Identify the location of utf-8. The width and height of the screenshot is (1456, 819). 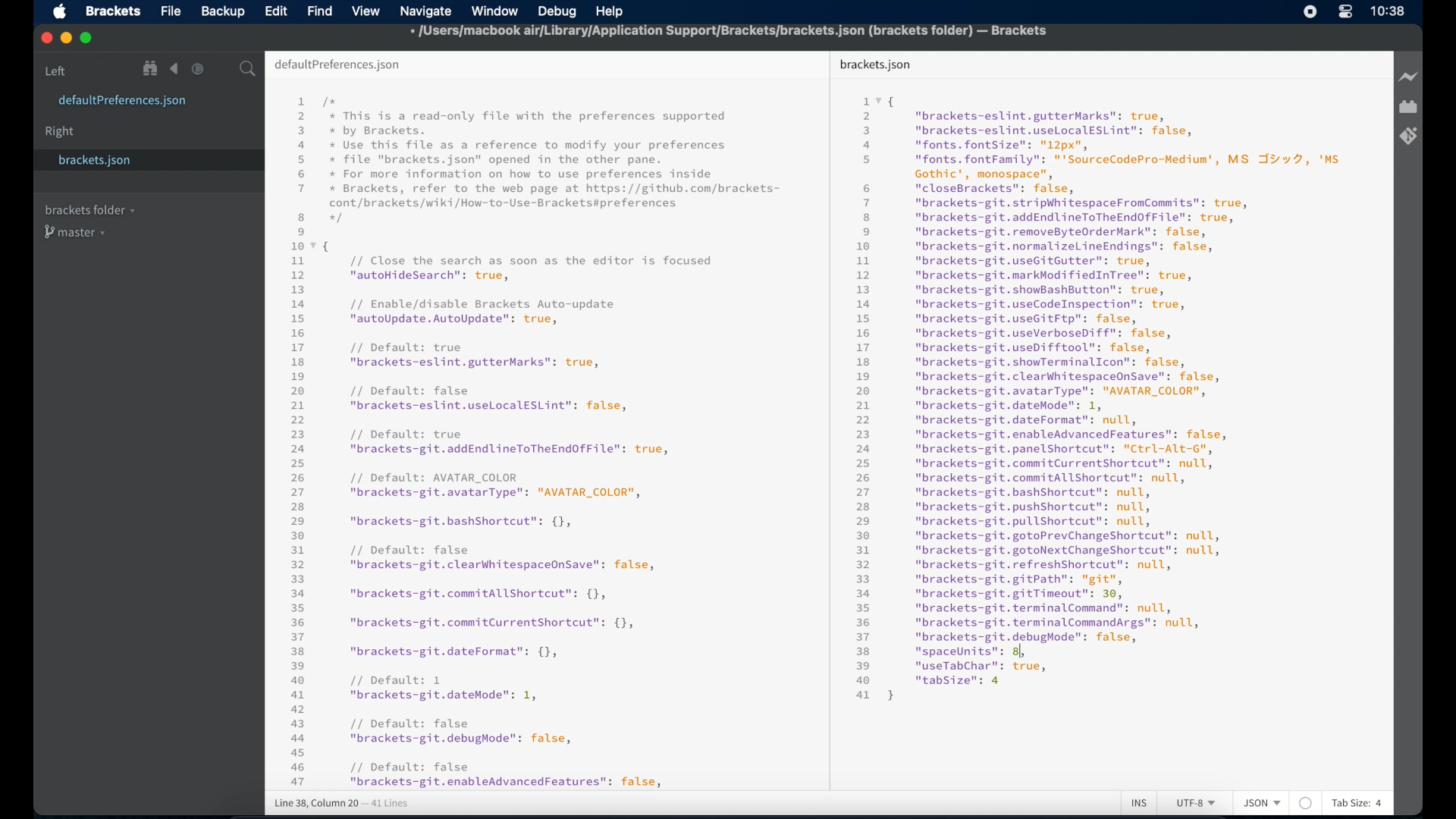
(1197, 803).